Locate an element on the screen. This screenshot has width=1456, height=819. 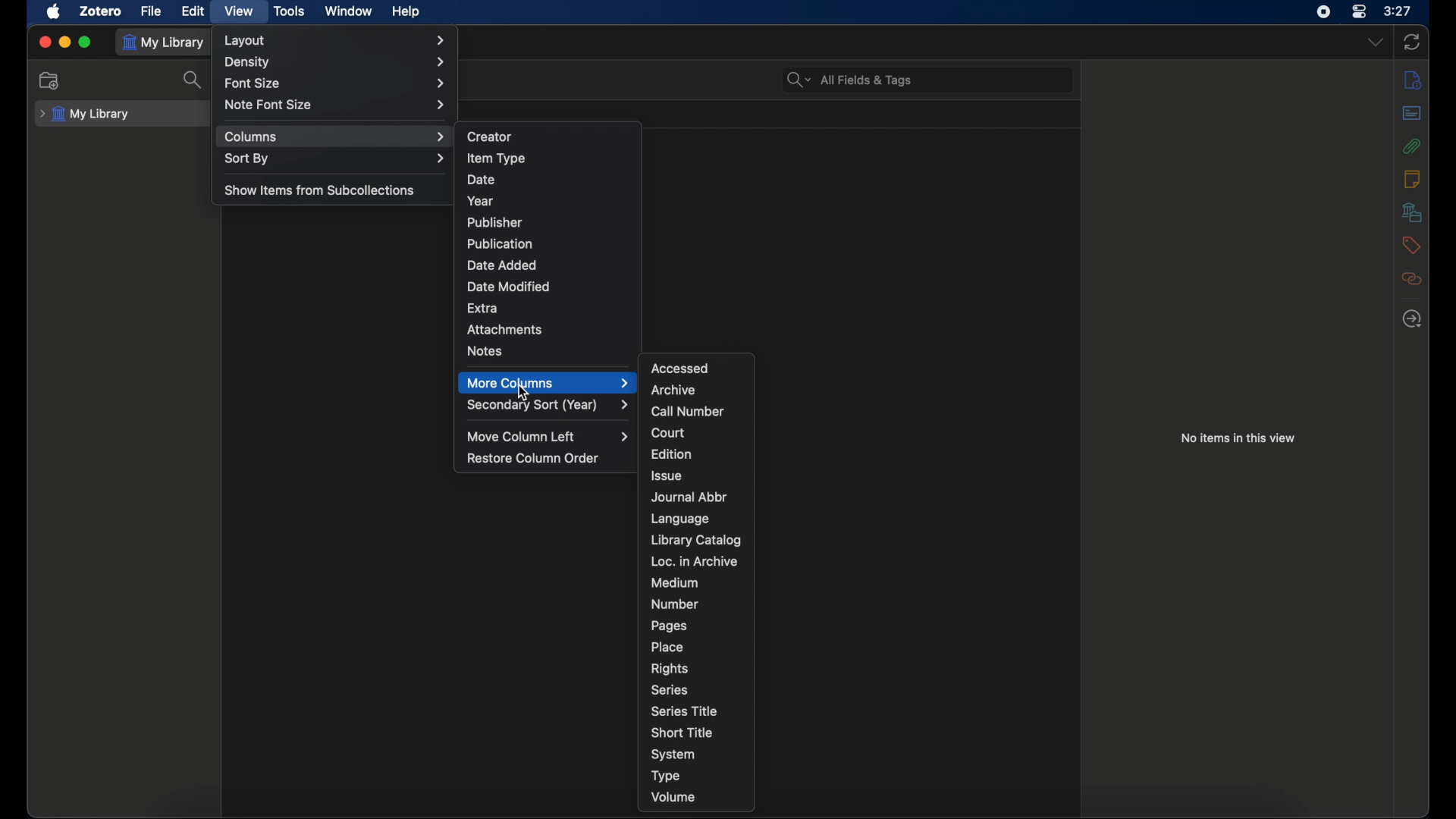
secondary sort is located at coordinates (548, 406).